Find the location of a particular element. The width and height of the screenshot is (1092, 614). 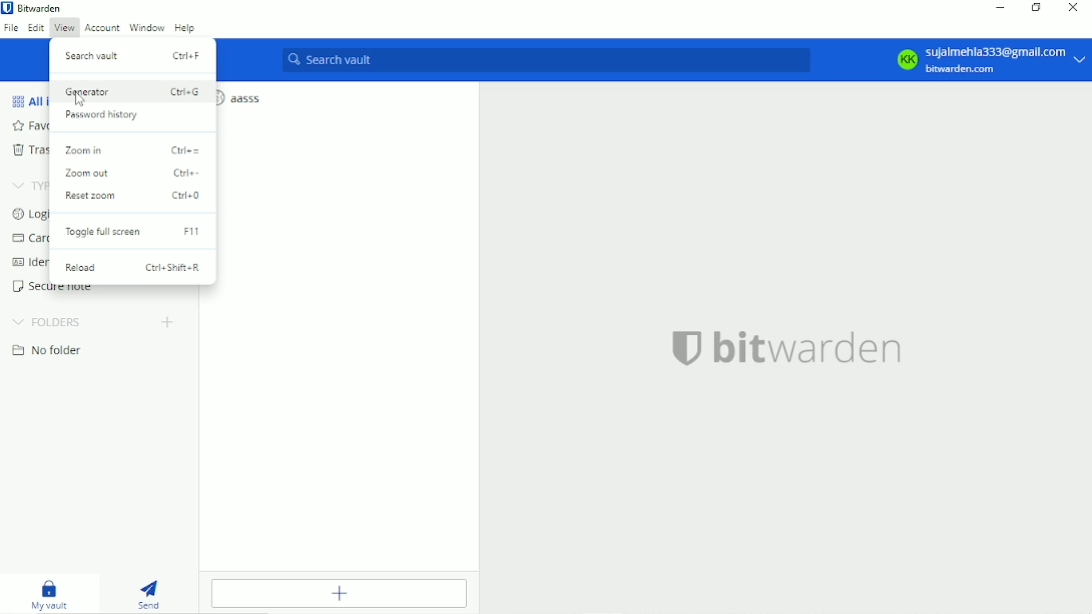

Password history is located at coordinates (102, 116).